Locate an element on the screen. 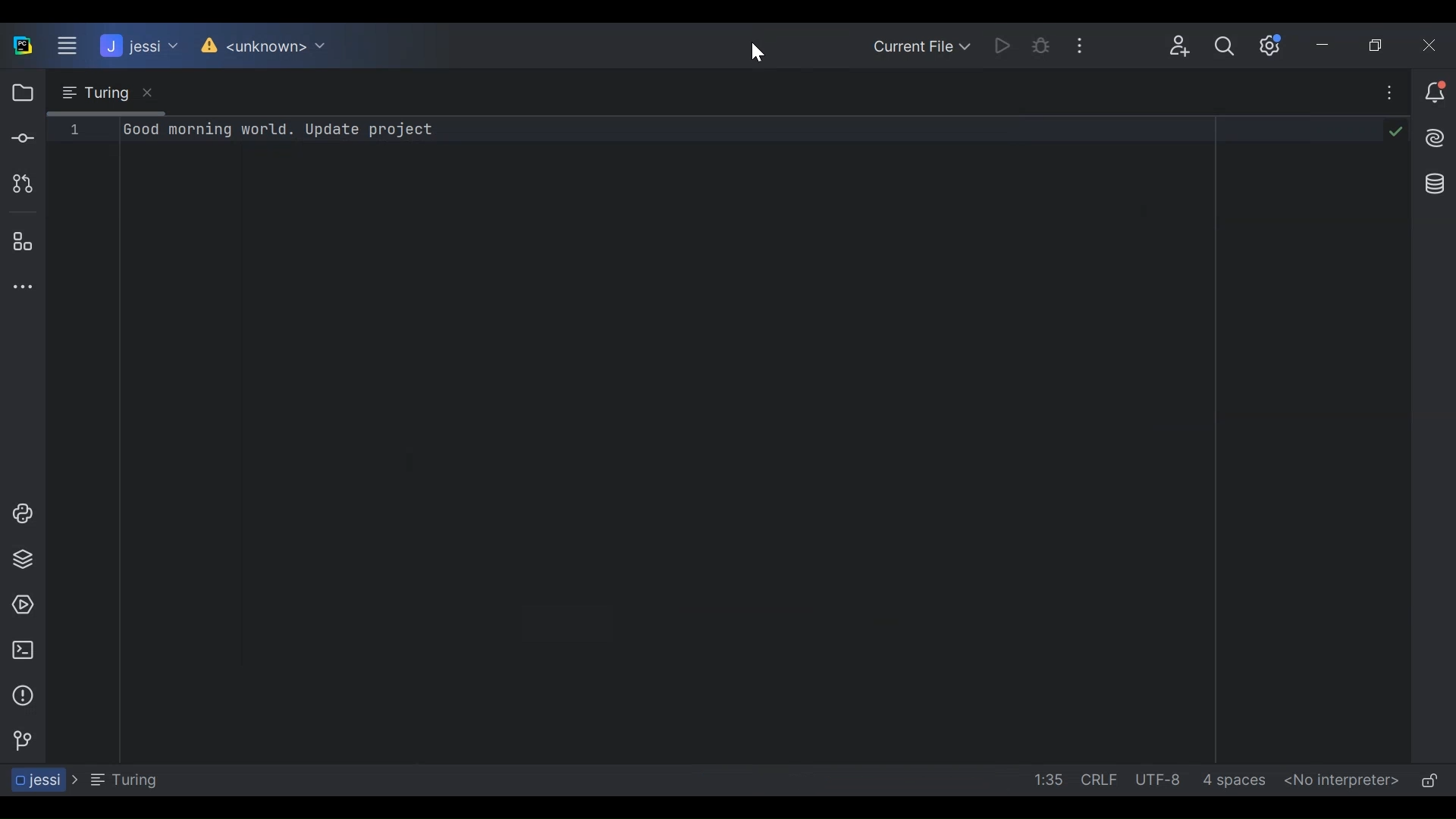 This screenshot has width=1456, height=819. Minimize is located at coordinates (1329, 45).